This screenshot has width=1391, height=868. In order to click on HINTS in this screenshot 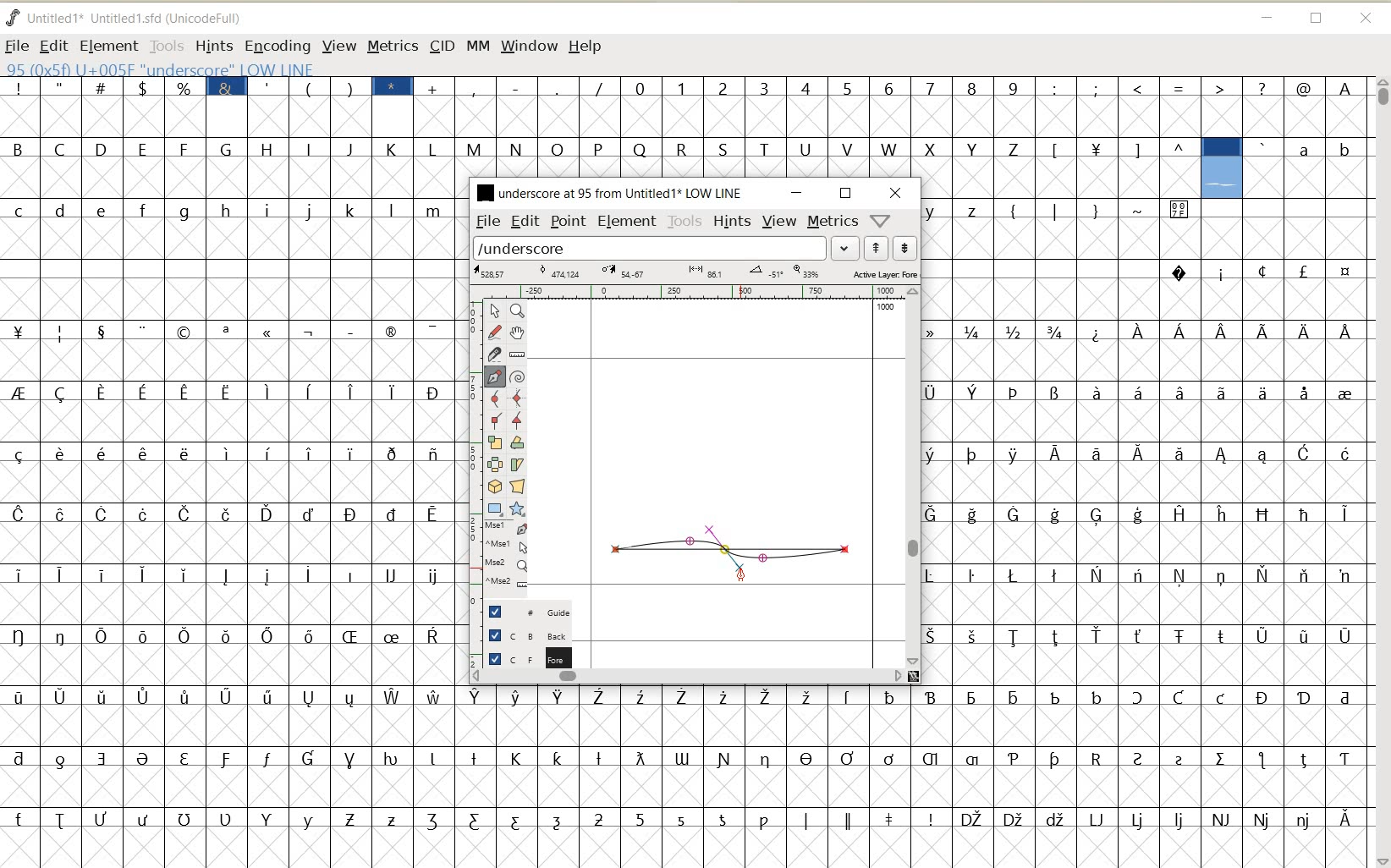, I will do `click(732, 221)`.